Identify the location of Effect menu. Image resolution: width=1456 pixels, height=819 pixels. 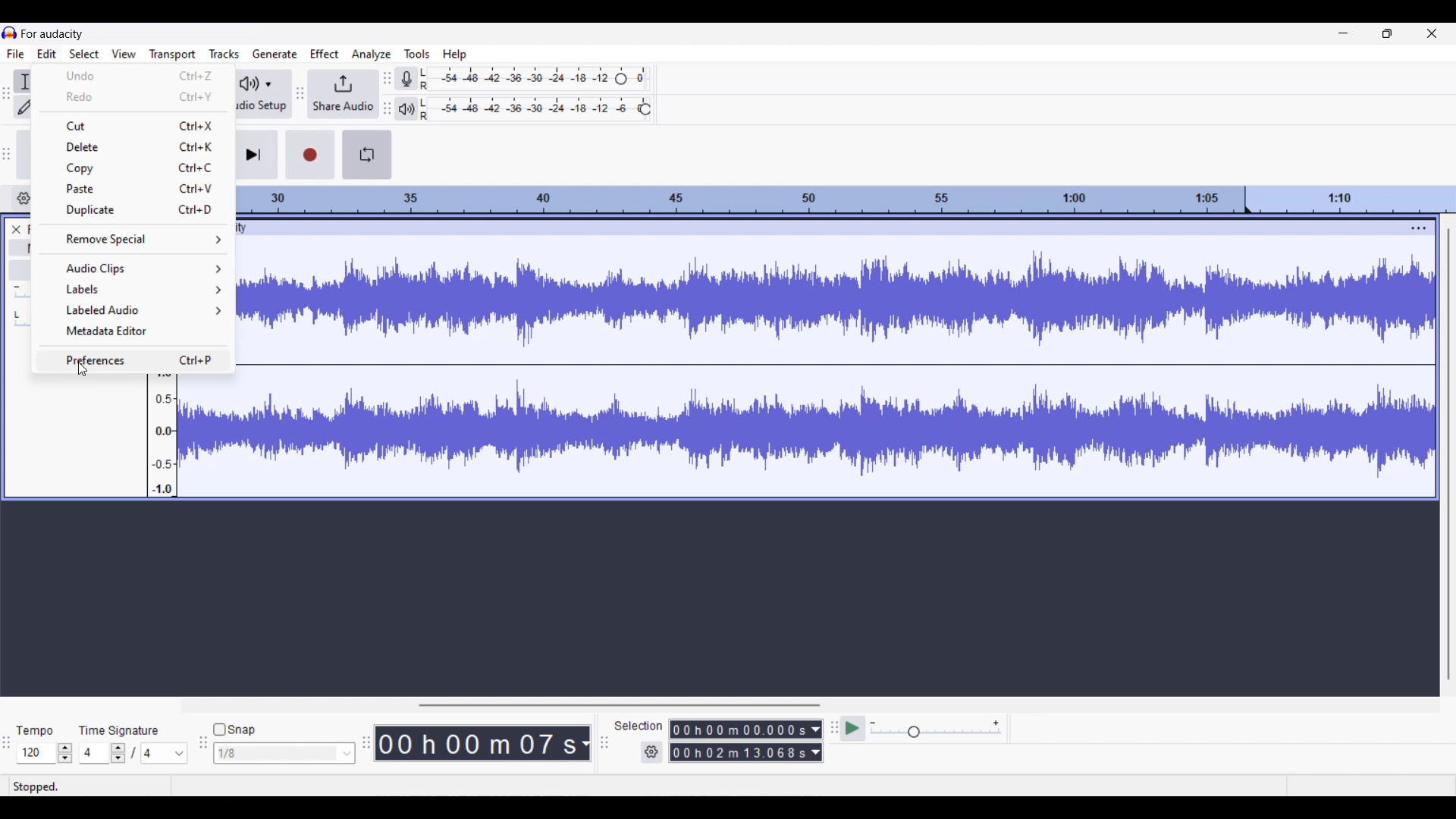
(325, 53).